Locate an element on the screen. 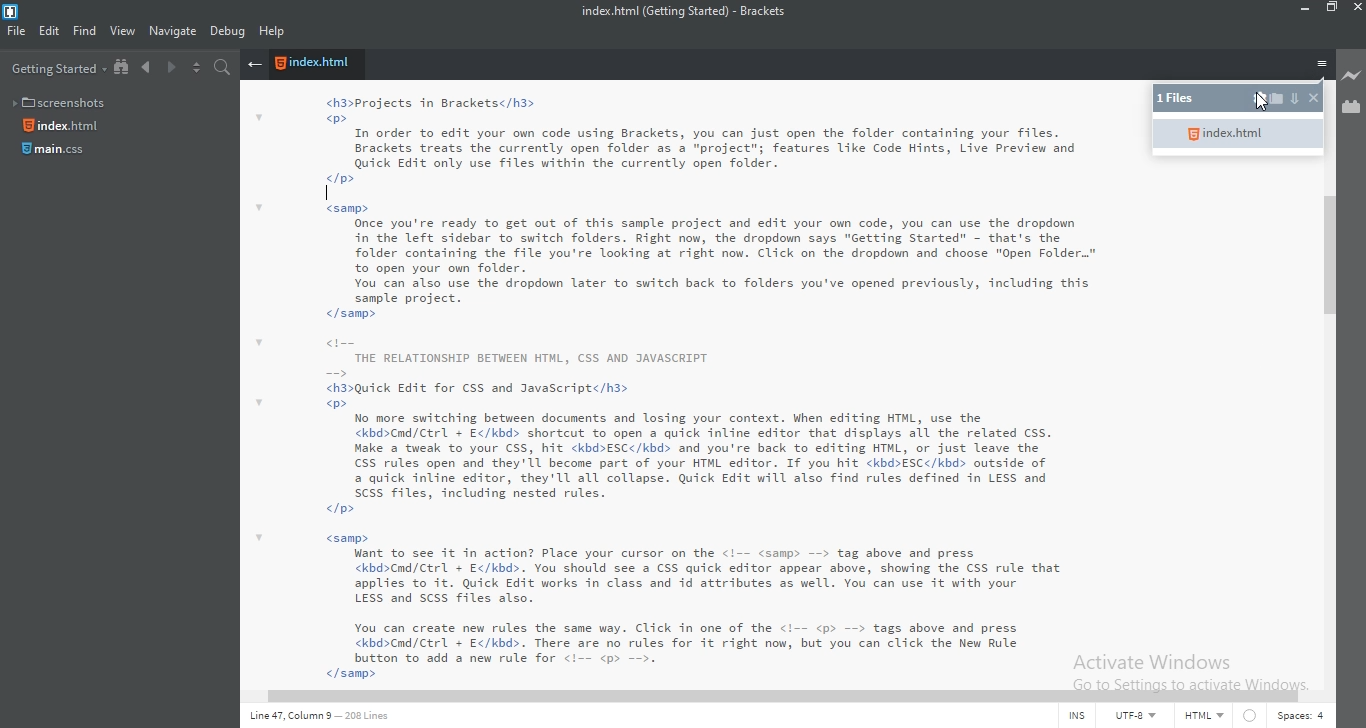 This screenshot has width=1366, height=728. open folder is located at coordinates (1279, 102).